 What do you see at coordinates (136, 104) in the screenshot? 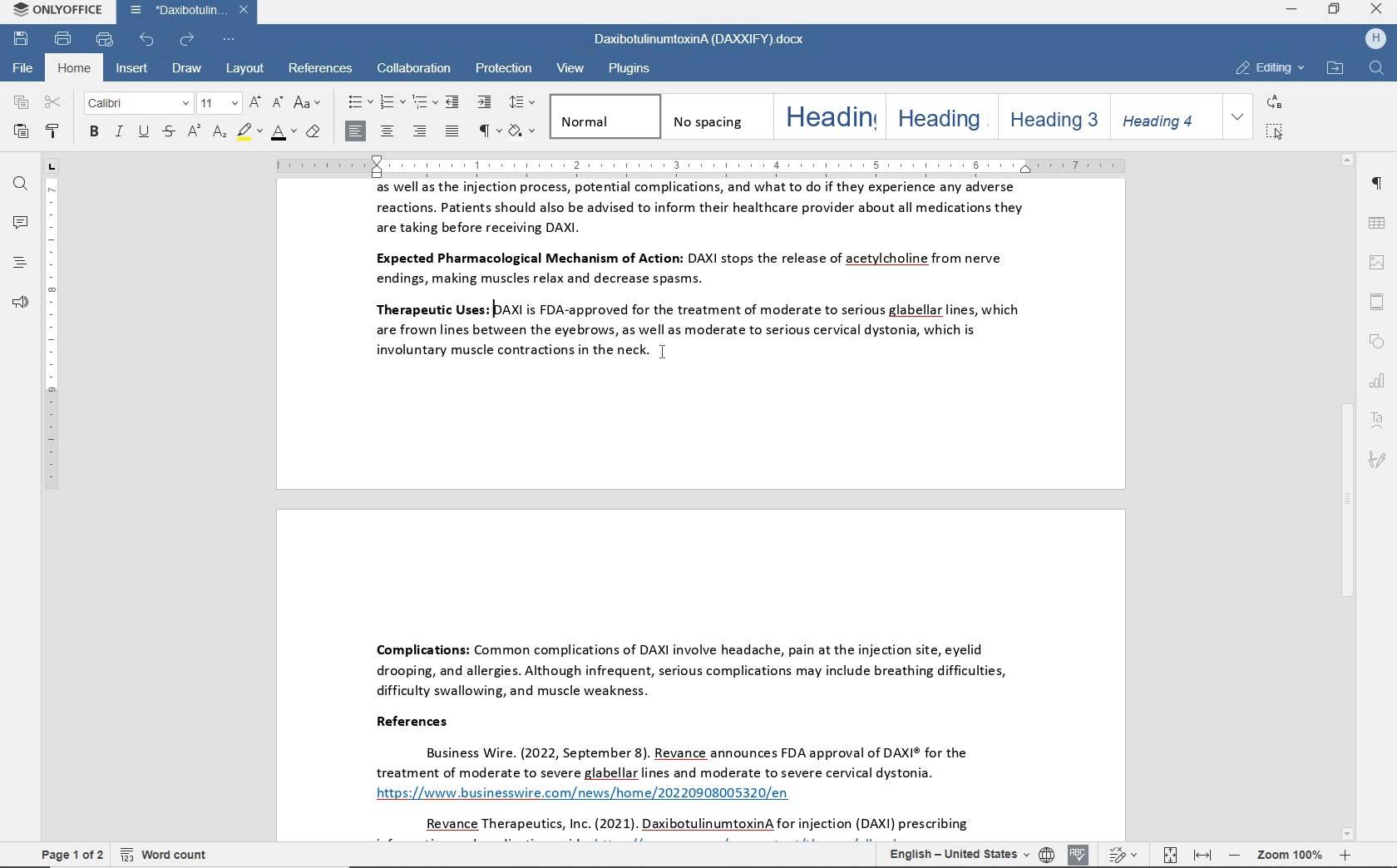
I see `font` at bounding box center [136, 104].